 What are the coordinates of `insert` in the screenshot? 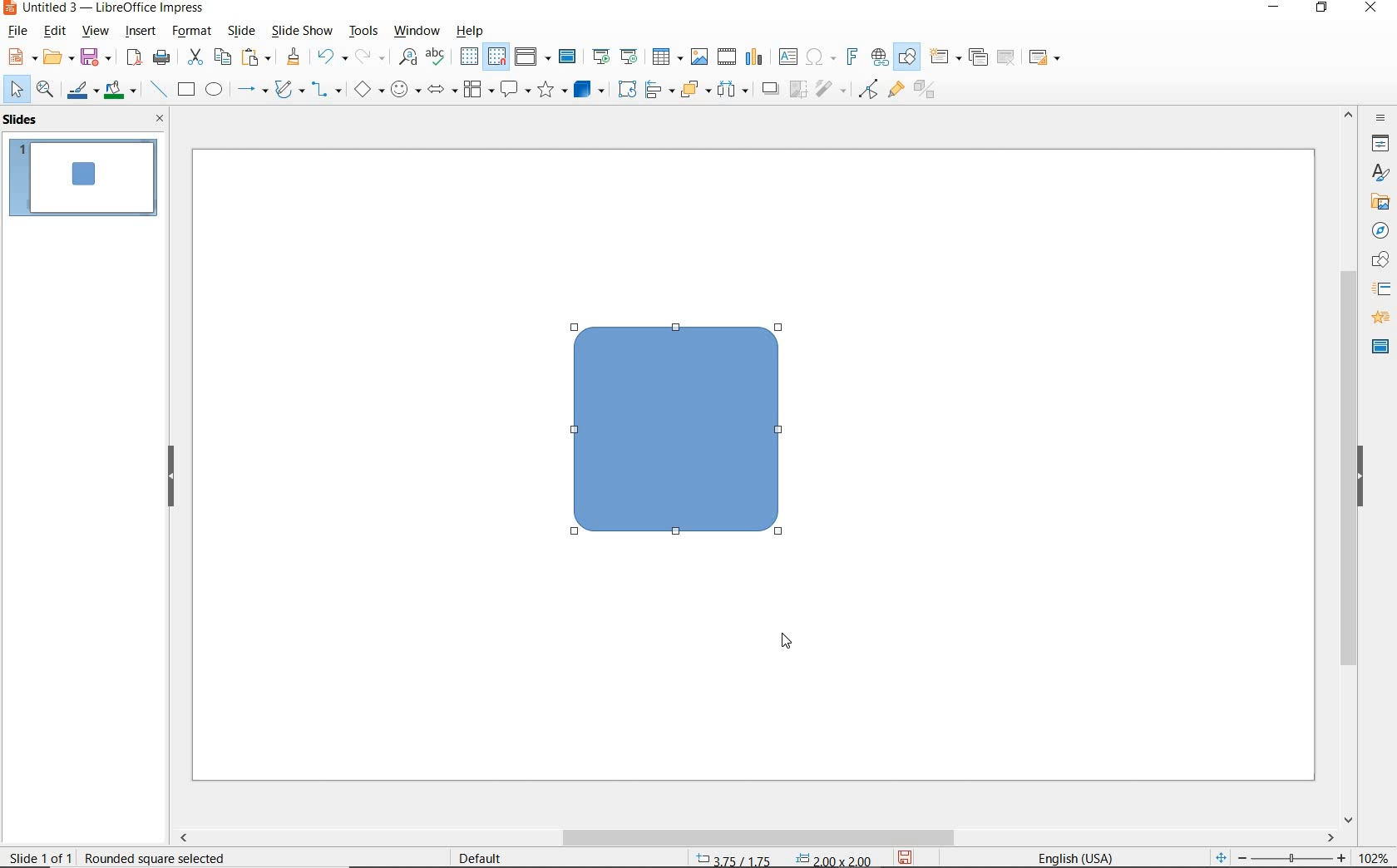 It's located at (143, 32).